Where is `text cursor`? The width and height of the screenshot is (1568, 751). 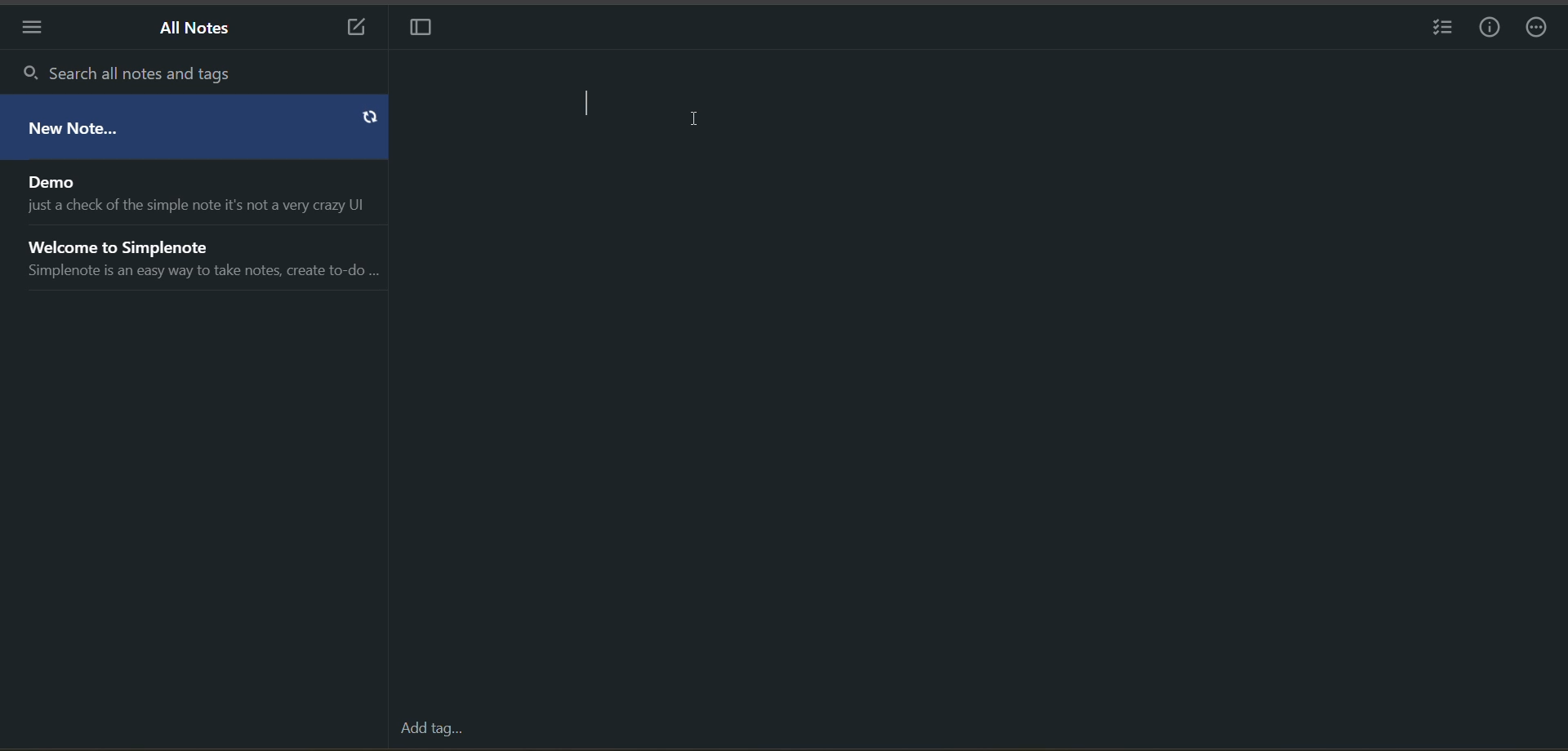
text cursor is located at coordinates (587, 106).